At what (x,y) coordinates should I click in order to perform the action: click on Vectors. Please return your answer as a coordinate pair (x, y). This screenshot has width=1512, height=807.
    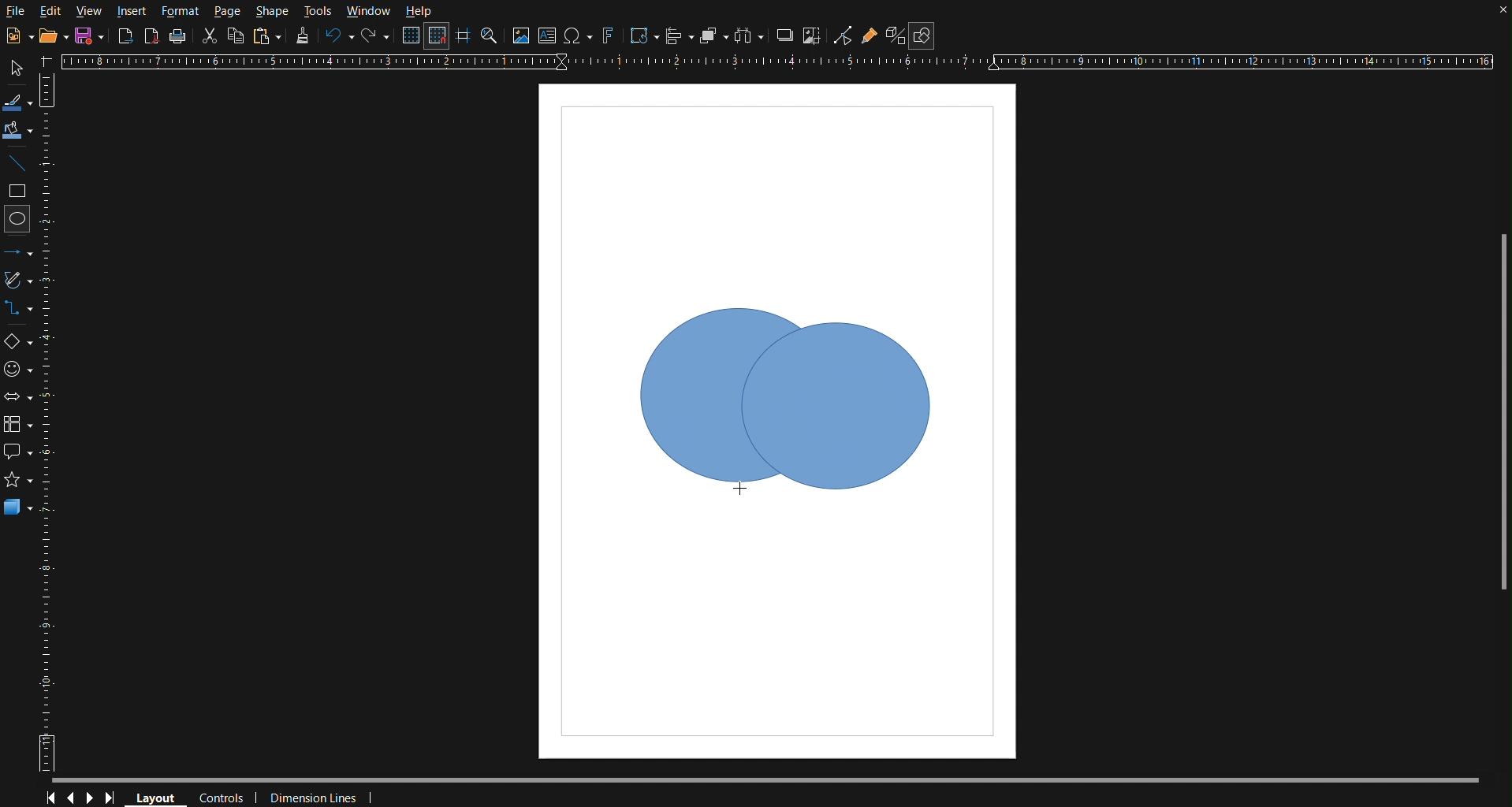
    Looking at the image, I should click on (19, 280).